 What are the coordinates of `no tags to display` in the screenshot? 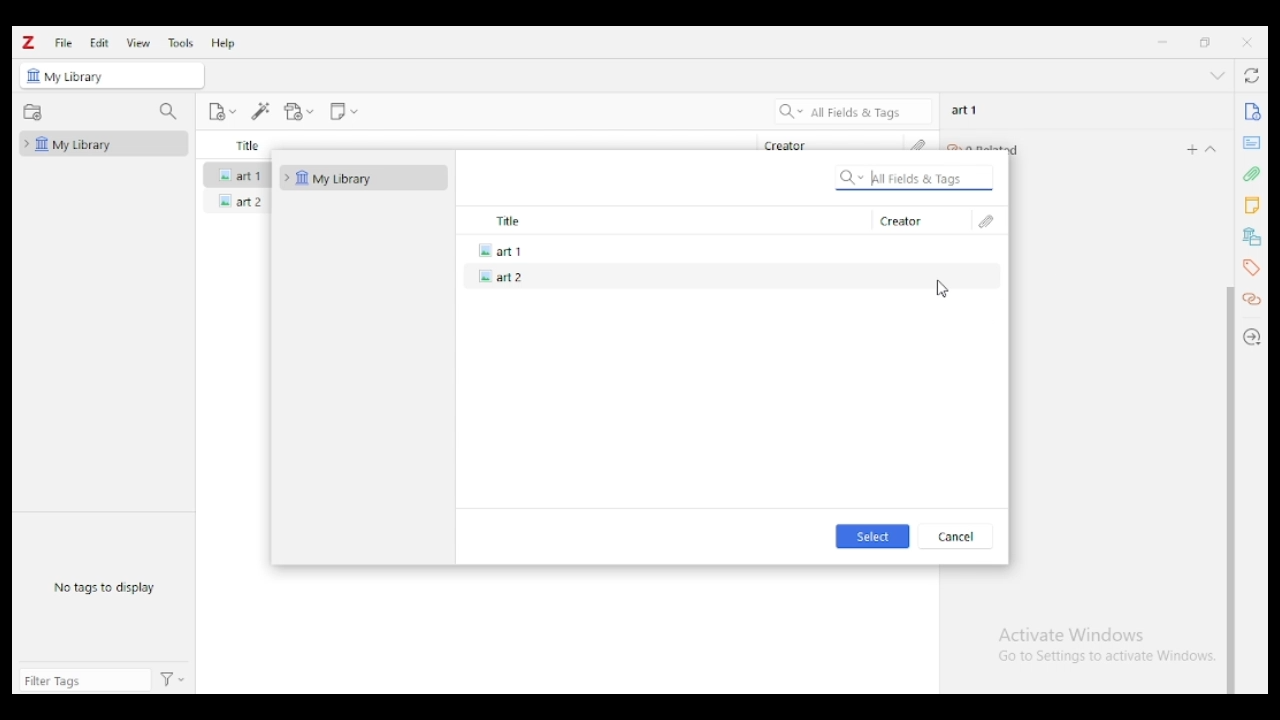 It's located at (104, 588).